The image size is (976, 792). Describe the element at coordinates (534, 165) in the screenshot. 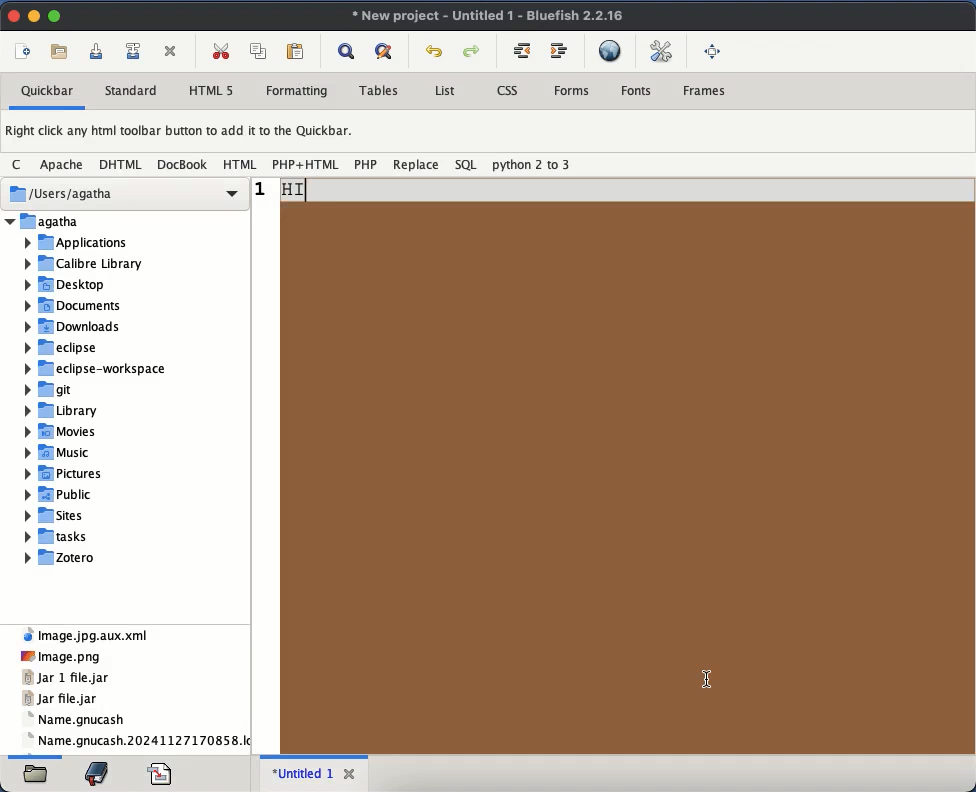

I see `python 2 to 3` at that location.